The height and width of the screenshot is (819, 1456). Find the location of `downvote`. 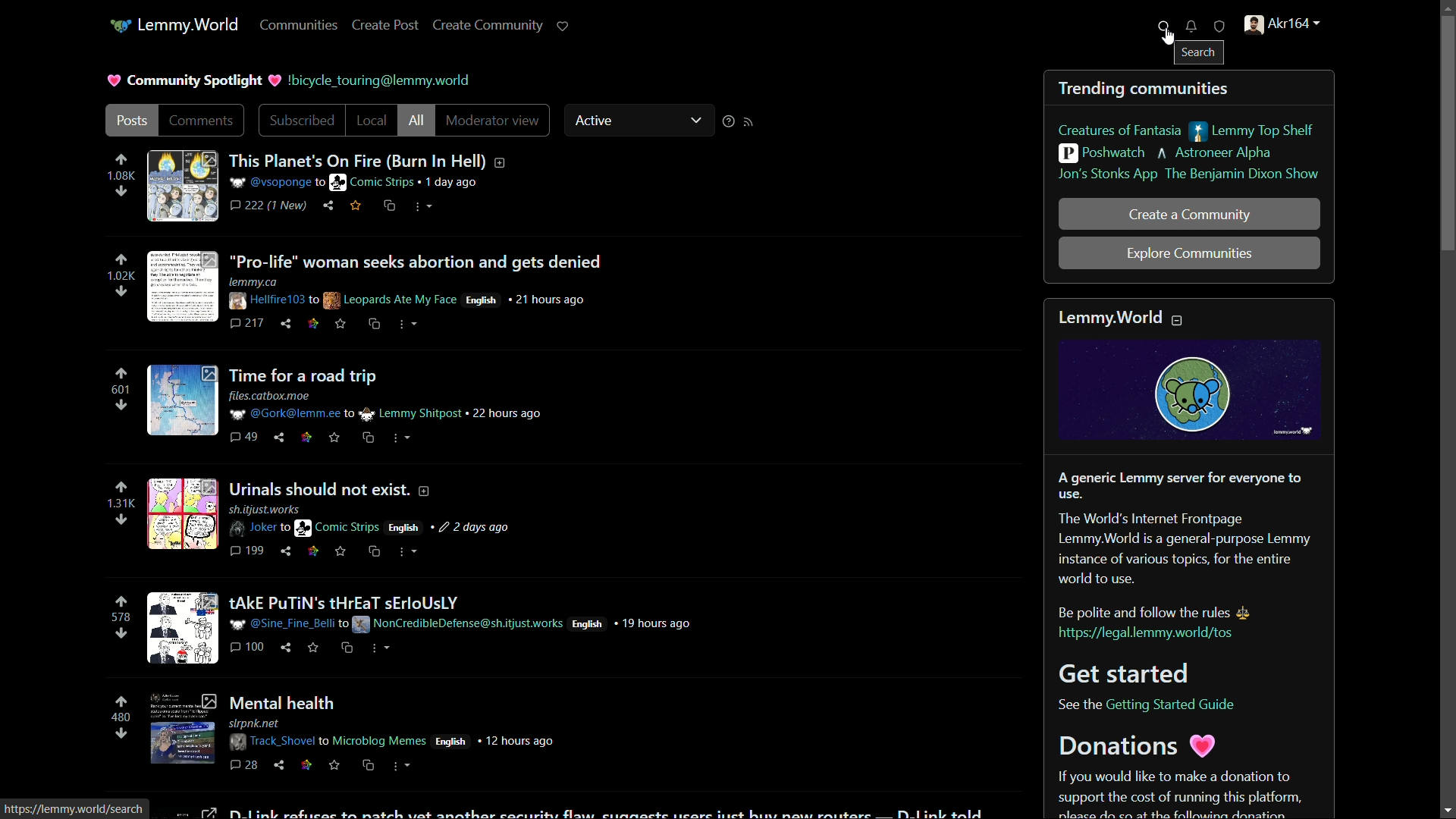

downvote is located at coordinates (121, 292).